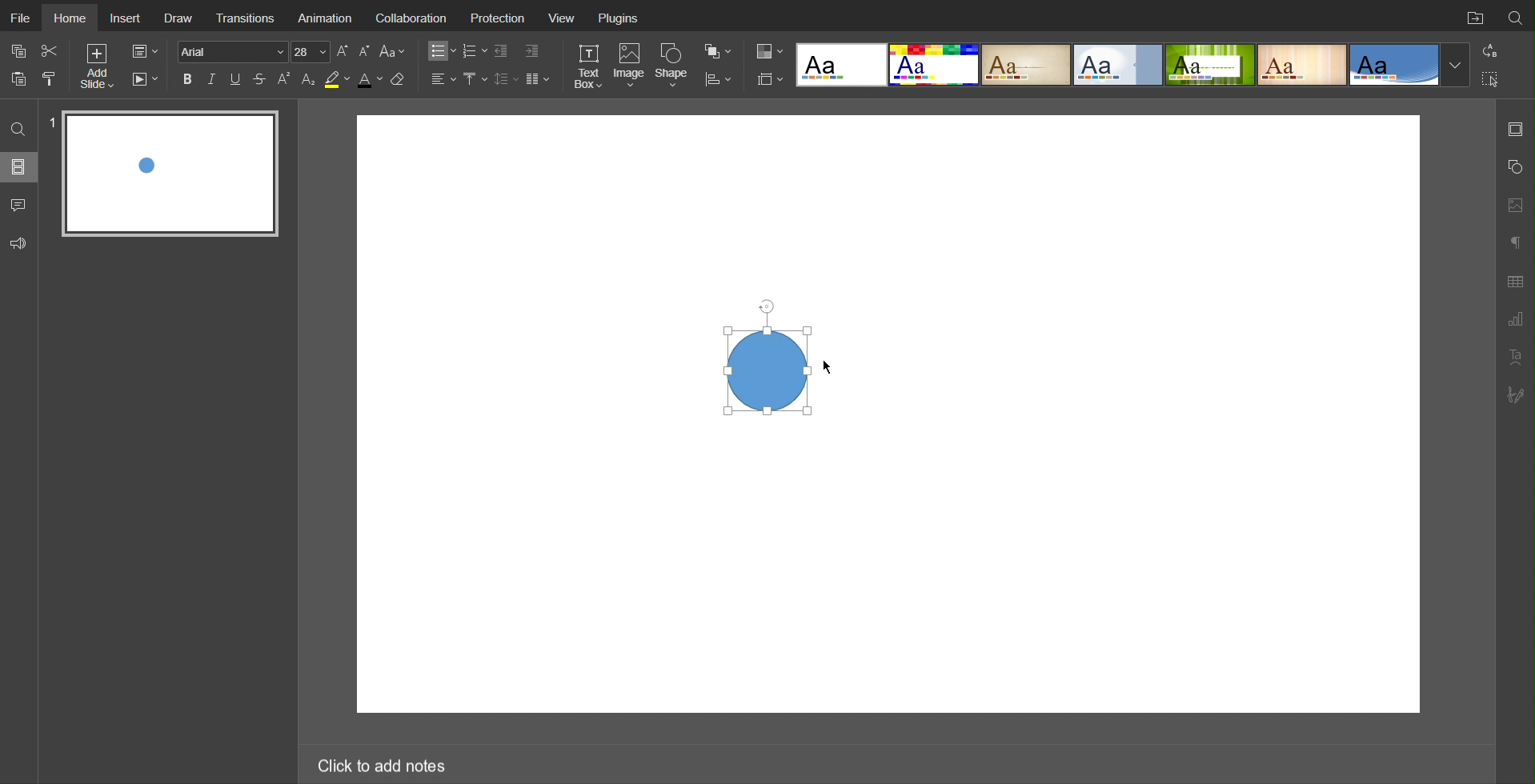  What do you see at coordinates (336, 80) in the screenshot?
I see `Highlight` at bounding box center [336, 80].